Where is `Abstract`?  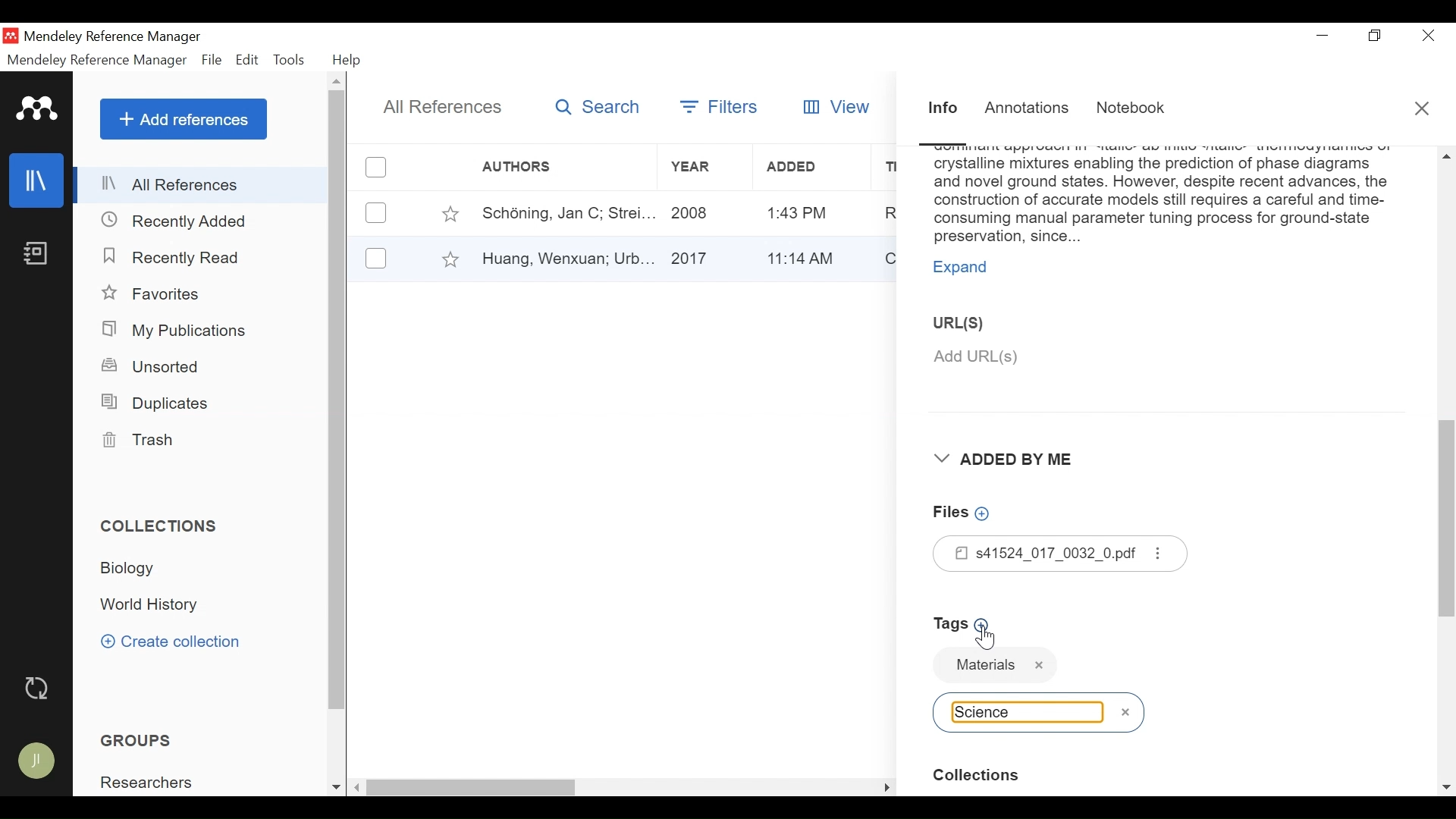
Abstract is located at coordinates (1162, 197).